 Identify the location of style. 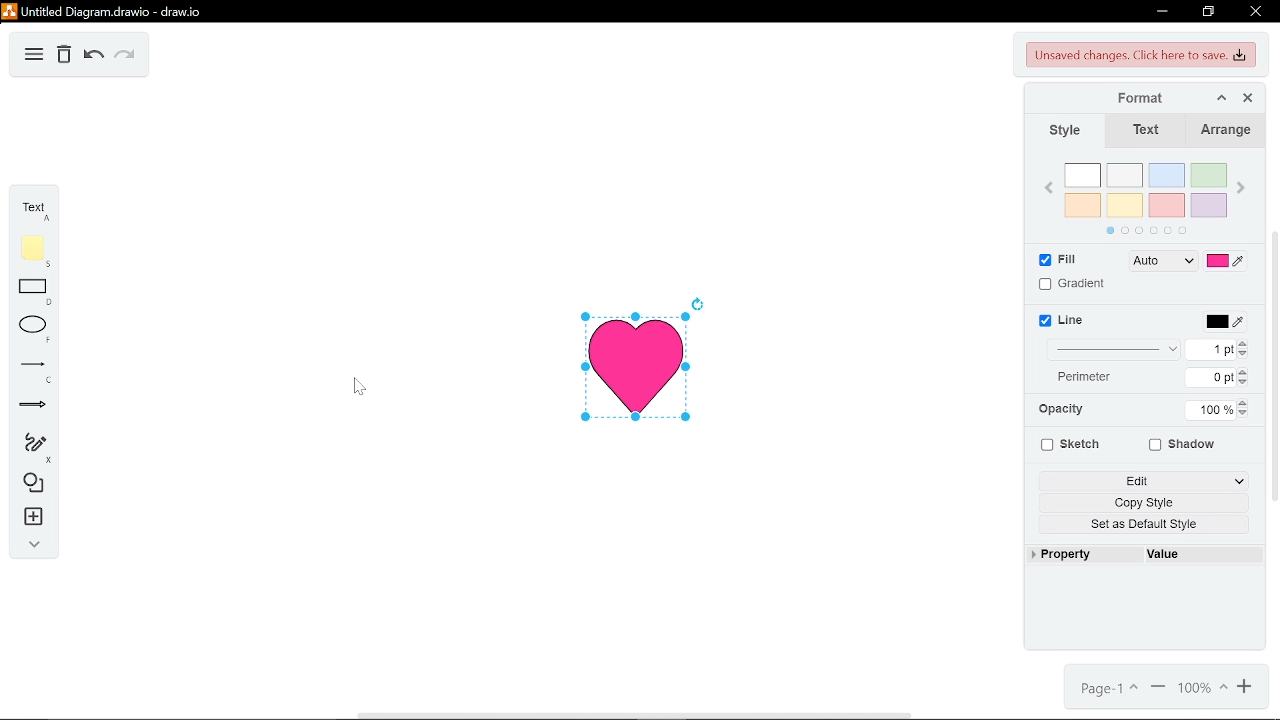
(1061, 132).